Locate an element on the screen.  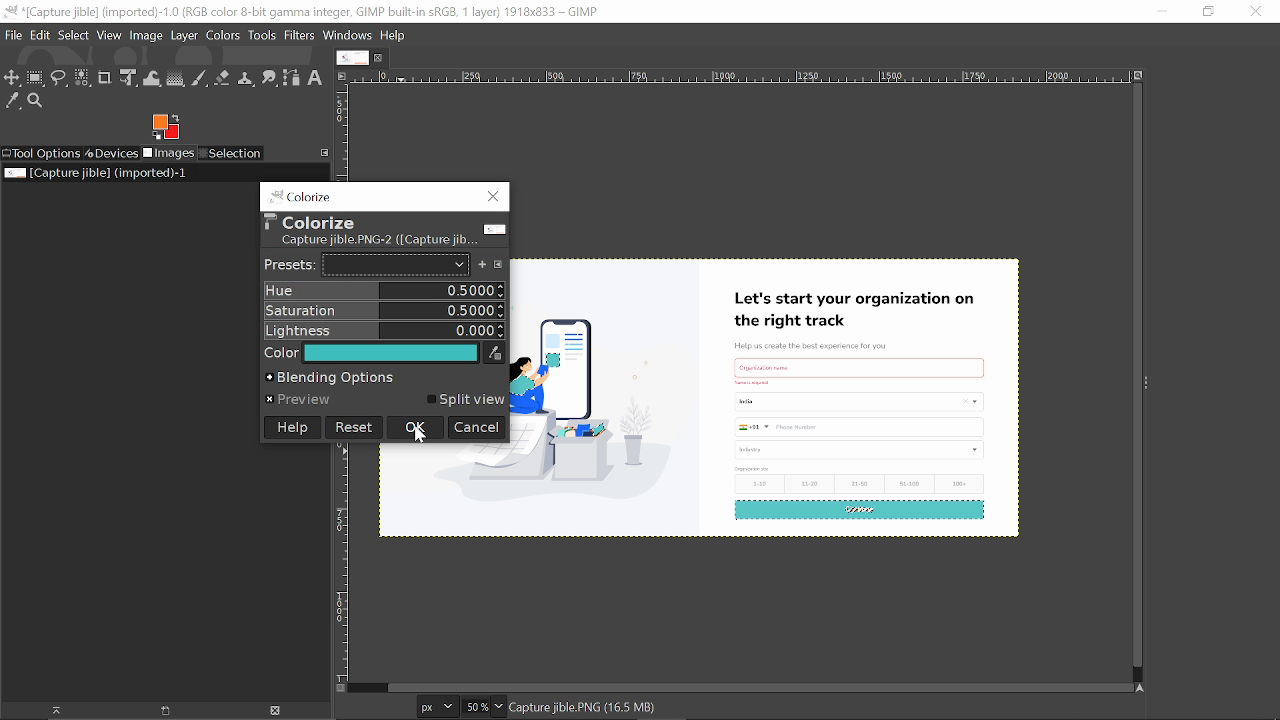
Current window is located at coordinates (302, 12).